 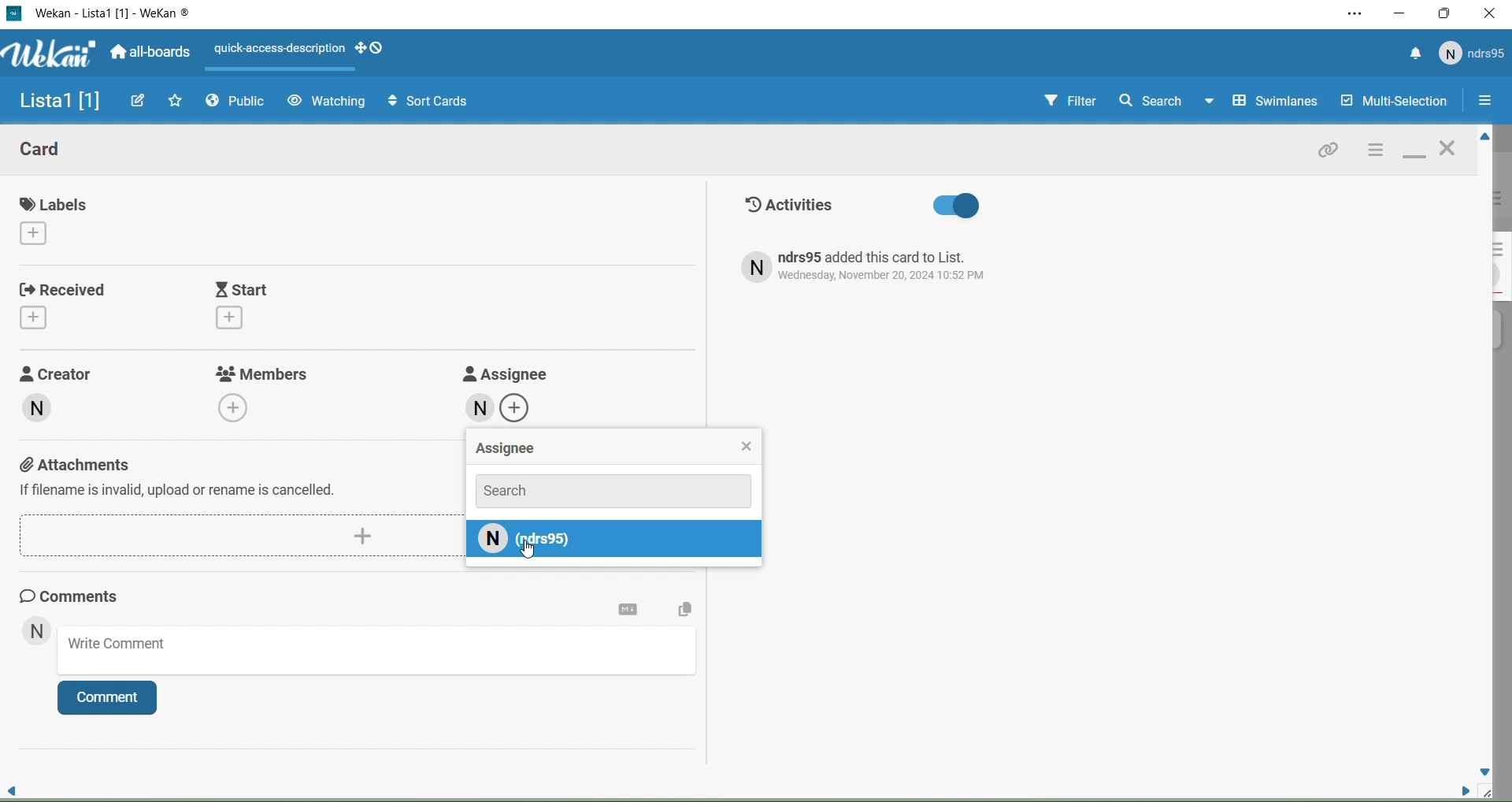 I want to click on Options, so click(x=1484, y=102).